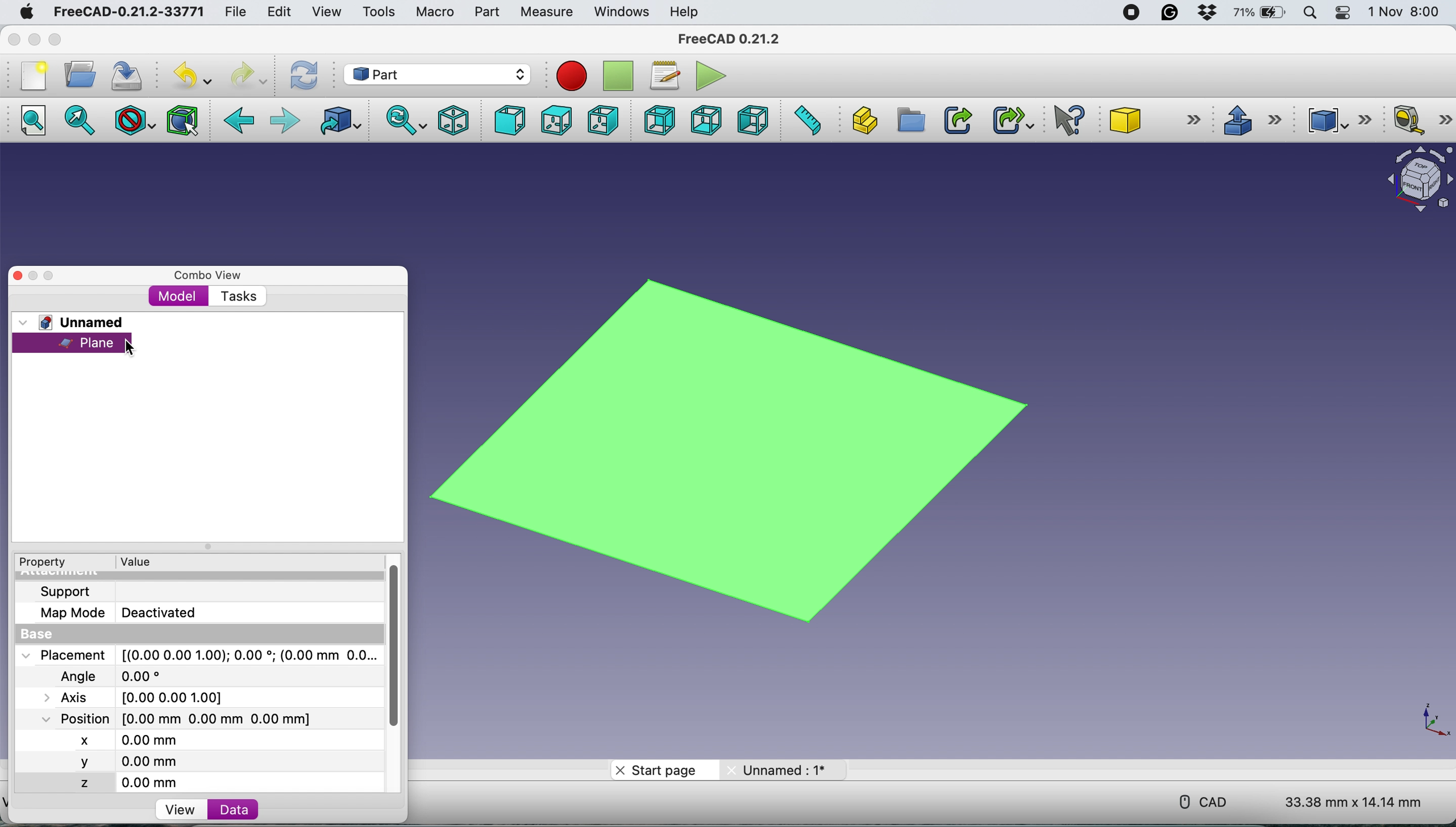 This screenshot has width=1456, height=827. I want to click on file, so click(231, 12).